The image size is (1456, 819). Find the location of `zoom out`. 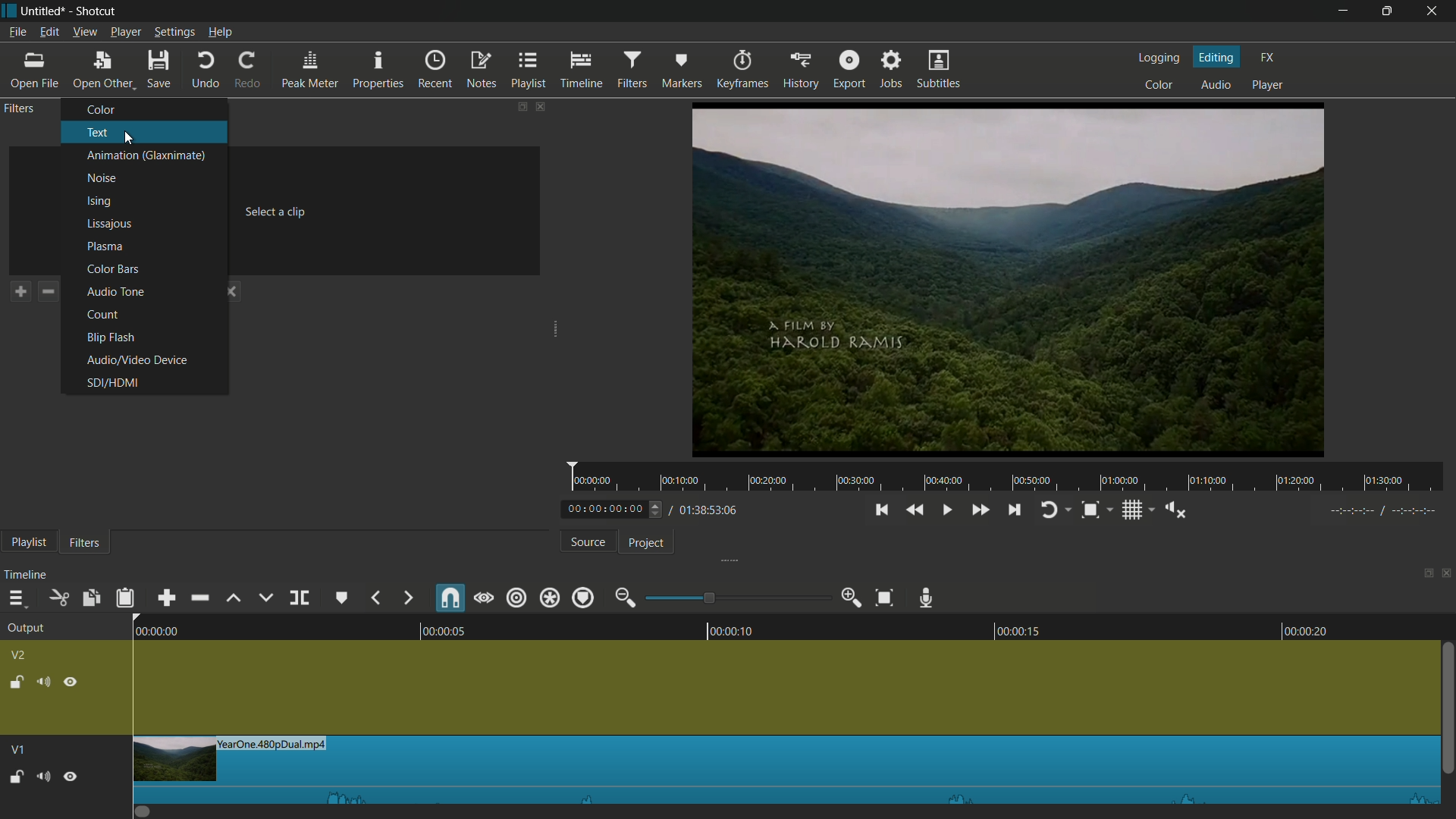

zoom out is located at coordinates (624, 598).